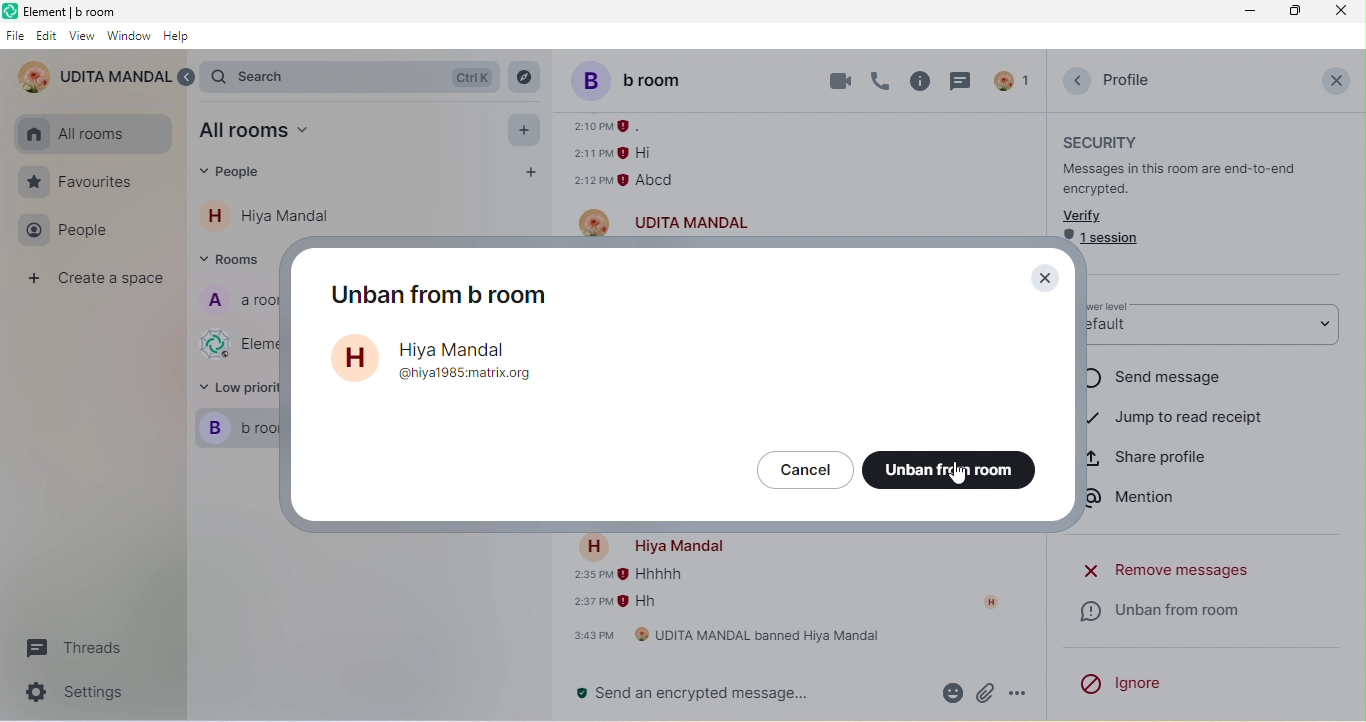 This screenshot has height=722, width=1366. What do you see at coordinates (1169, 378) in the screenshot?
I see `send message` at bounding box center [1169, 378].